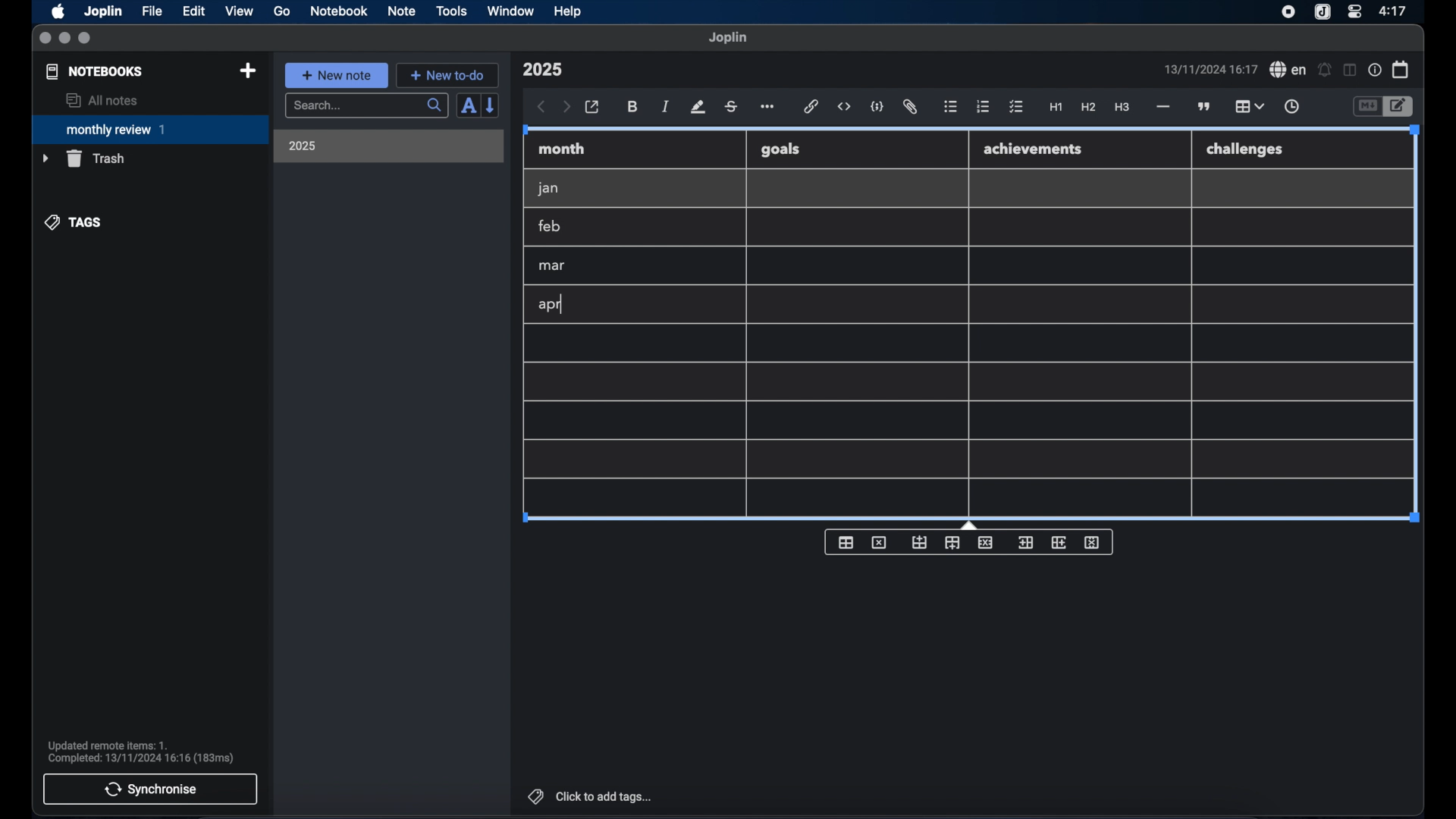 The image size is (1456, 819). I want to click on forward, so click(566, 108).